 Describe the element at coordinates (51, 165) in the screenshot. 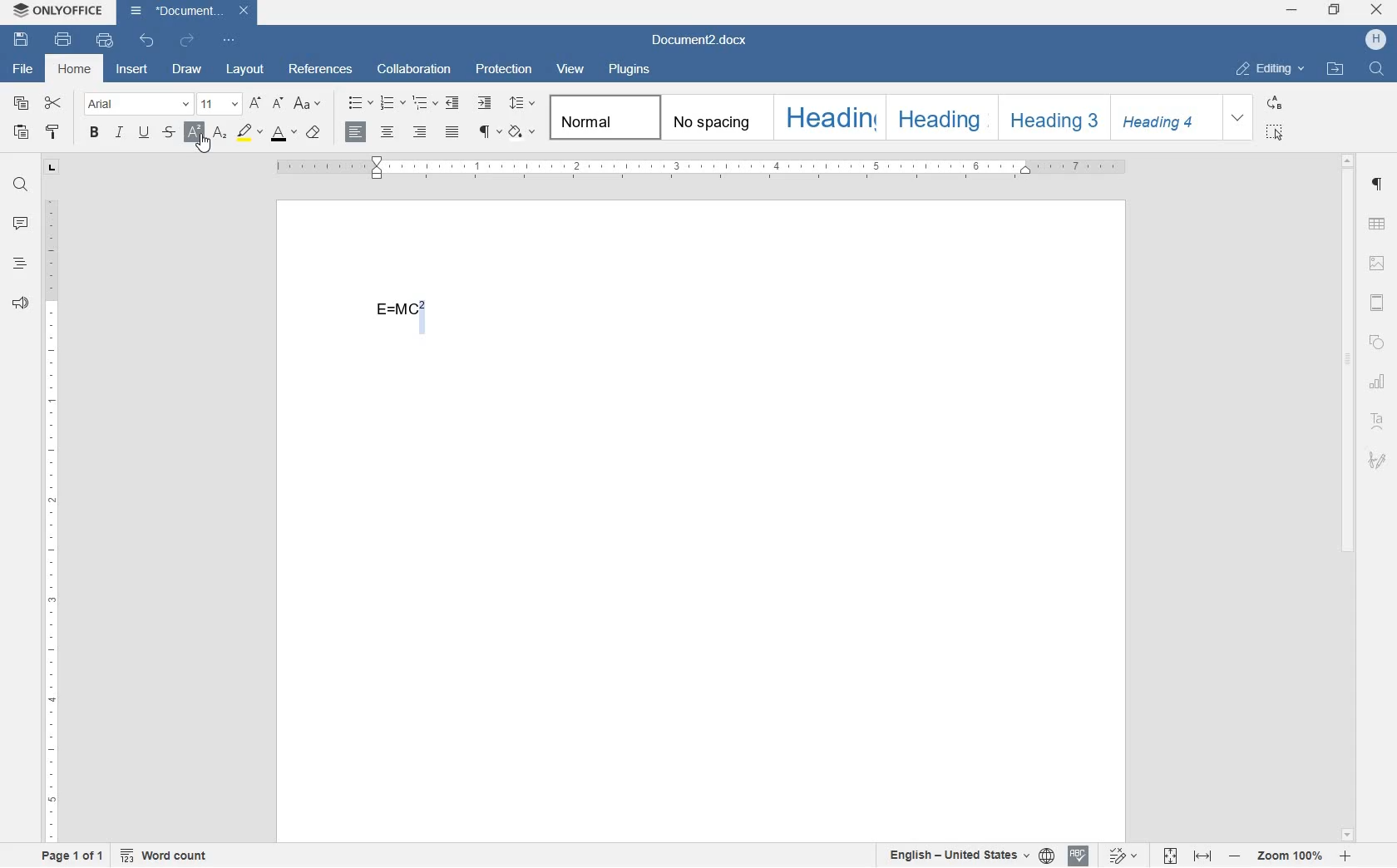

I see `tab` at that location.